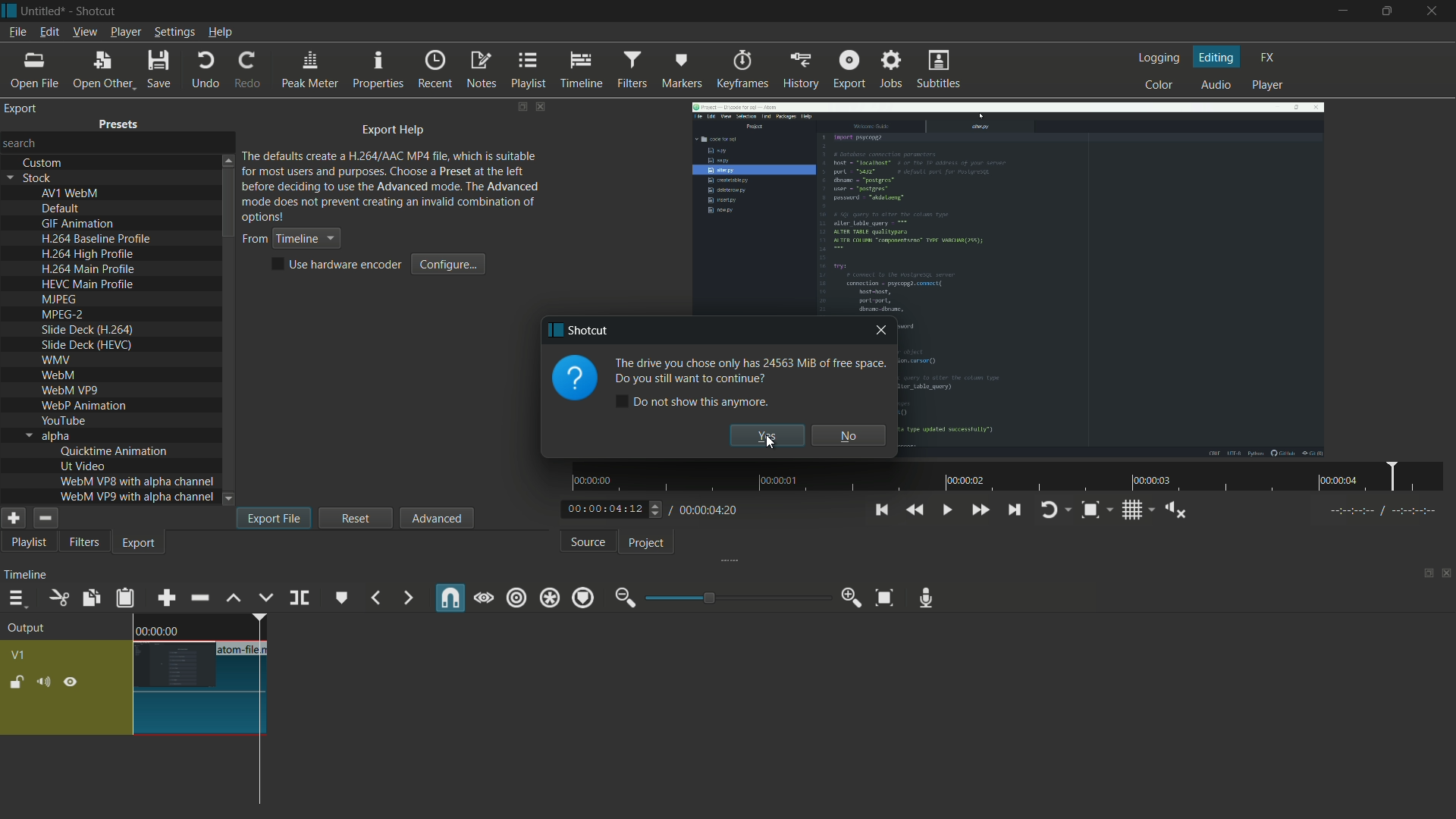 This screenshot has width=1456, height=819. Describe the element at coordinates (542, 106) in the screenshot. I see `close filters` at that location.